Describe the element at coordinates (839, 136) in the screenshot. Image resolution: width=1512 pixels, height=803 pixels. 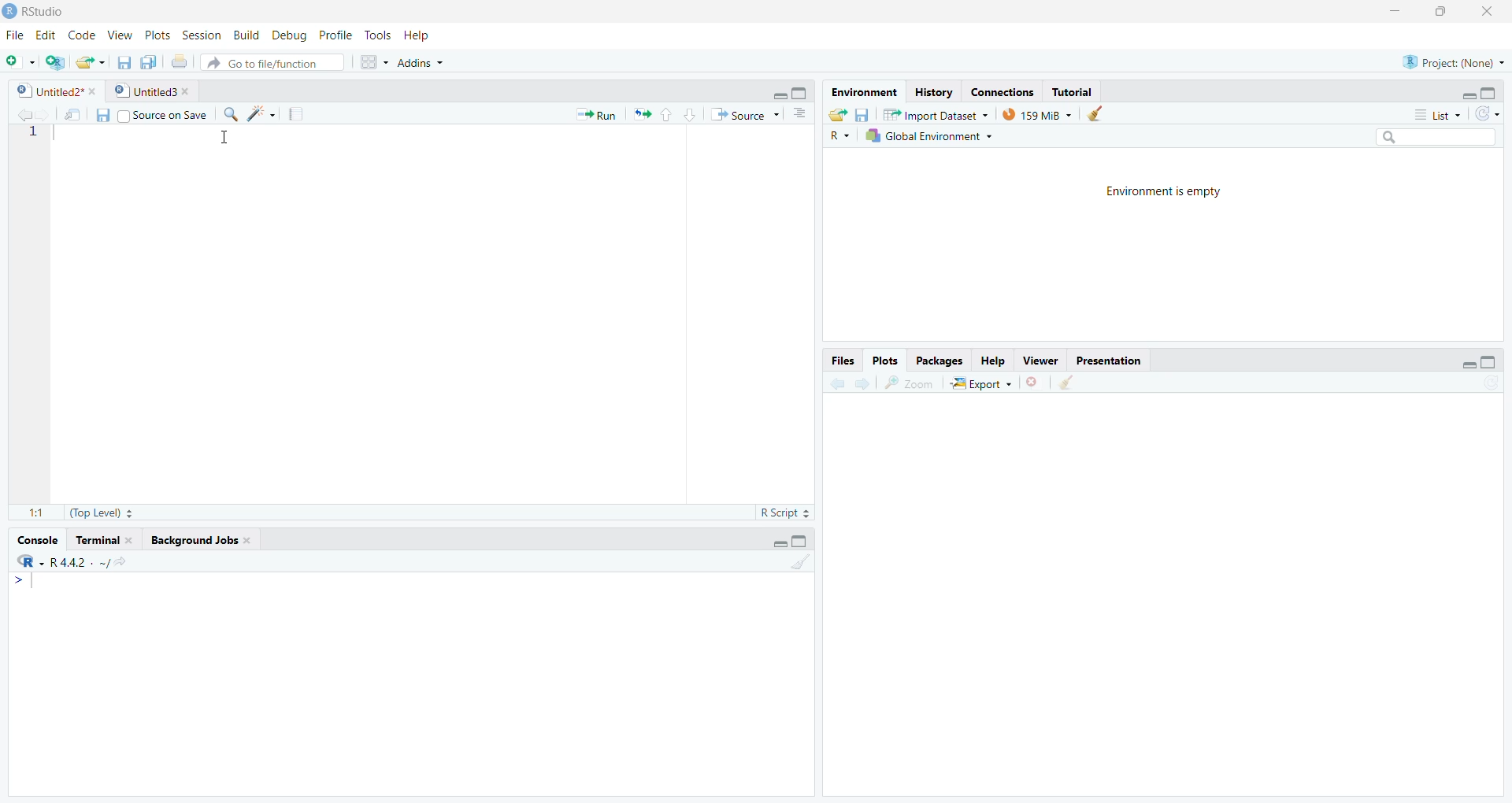
I see `R` at that location.